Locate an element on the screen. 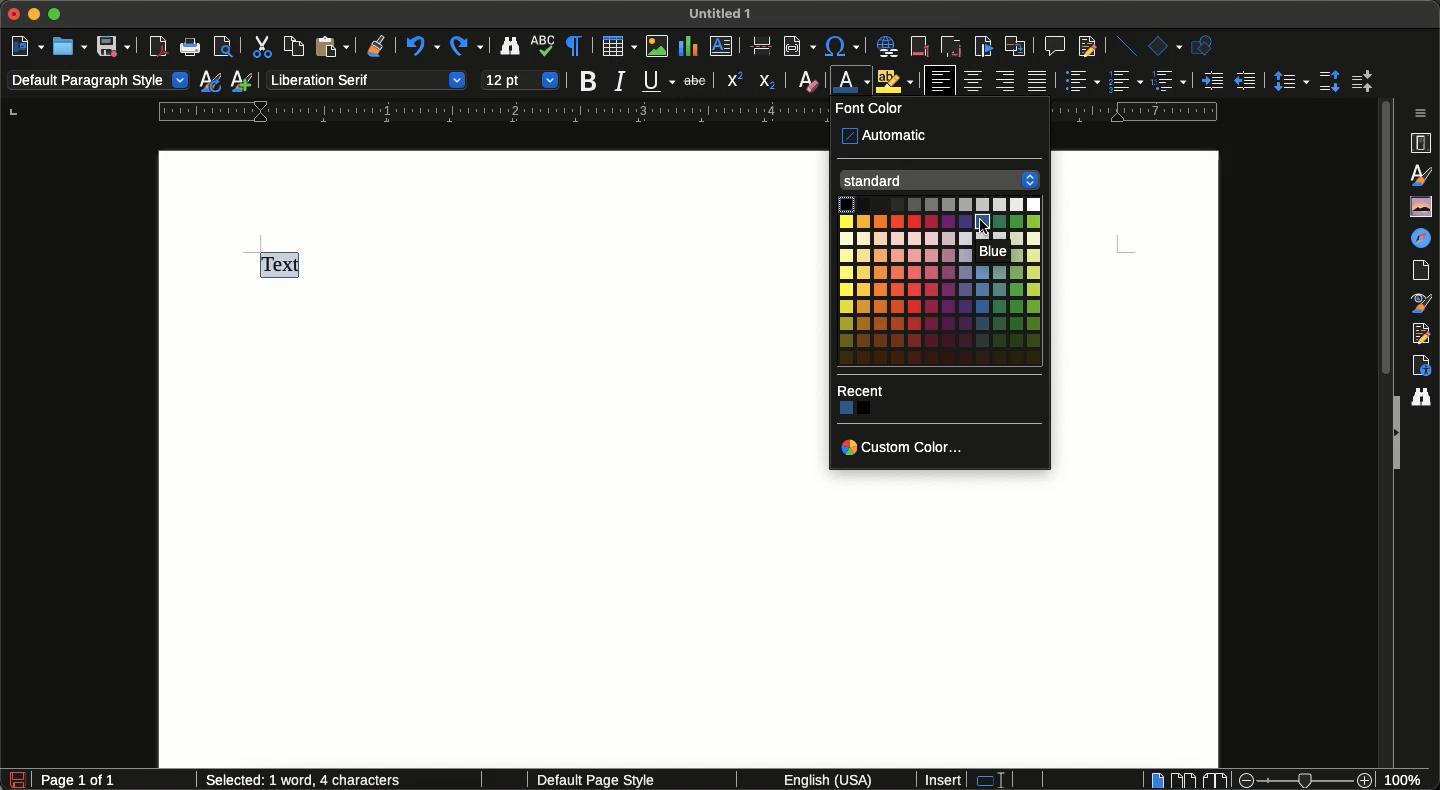 This screenshot has height=790, width=1440. Clone formatting is located at coordinates (378, 48).